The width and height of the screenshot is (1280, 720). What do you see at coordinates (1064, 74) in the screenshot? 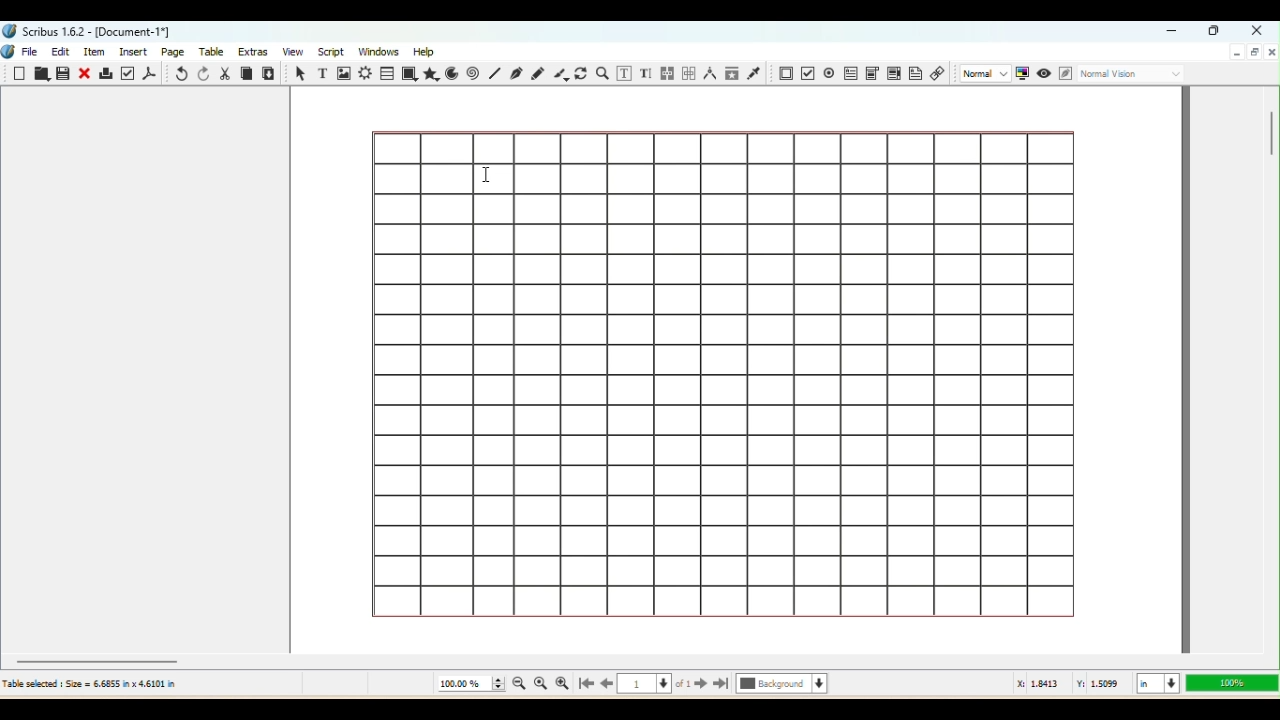
I see `Edit in Preview mode` at bounding box center [1064, 74].